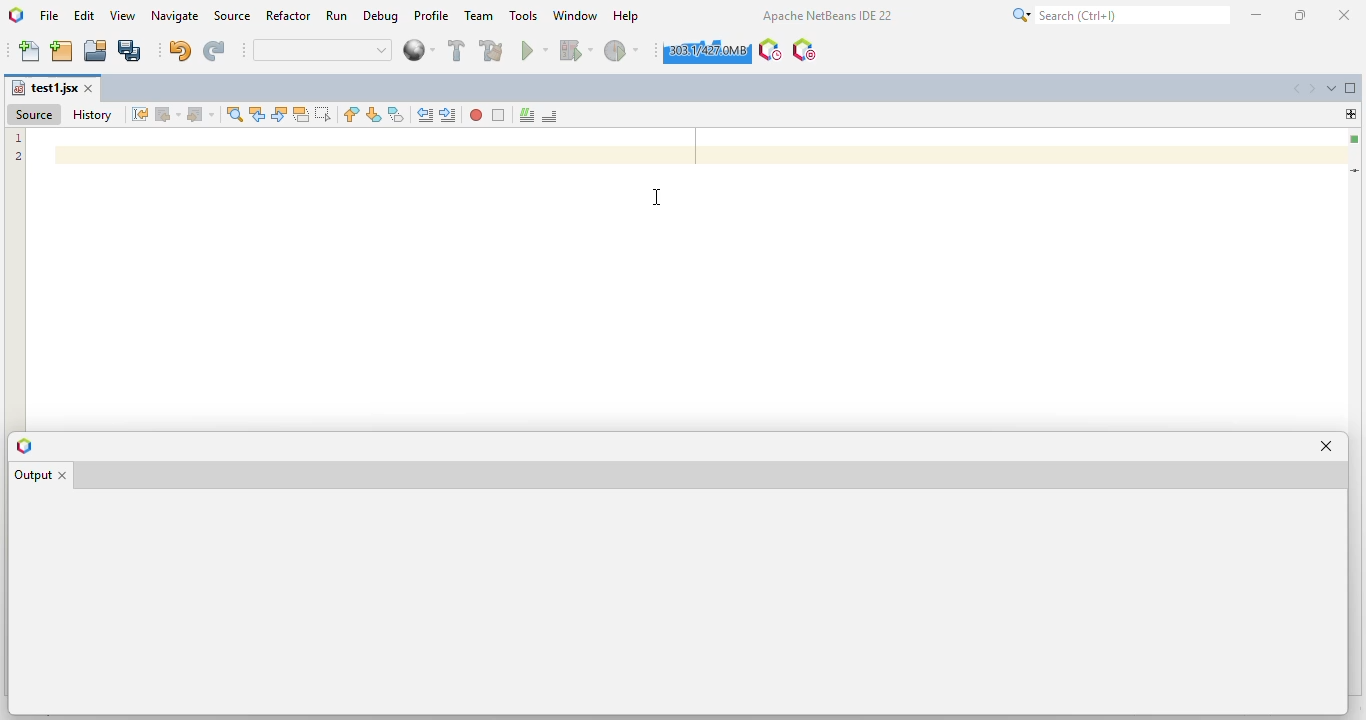  What do you see at coordinates (44, 88) in the screenshot?
I see `file name` at bounding box center [44, 88].